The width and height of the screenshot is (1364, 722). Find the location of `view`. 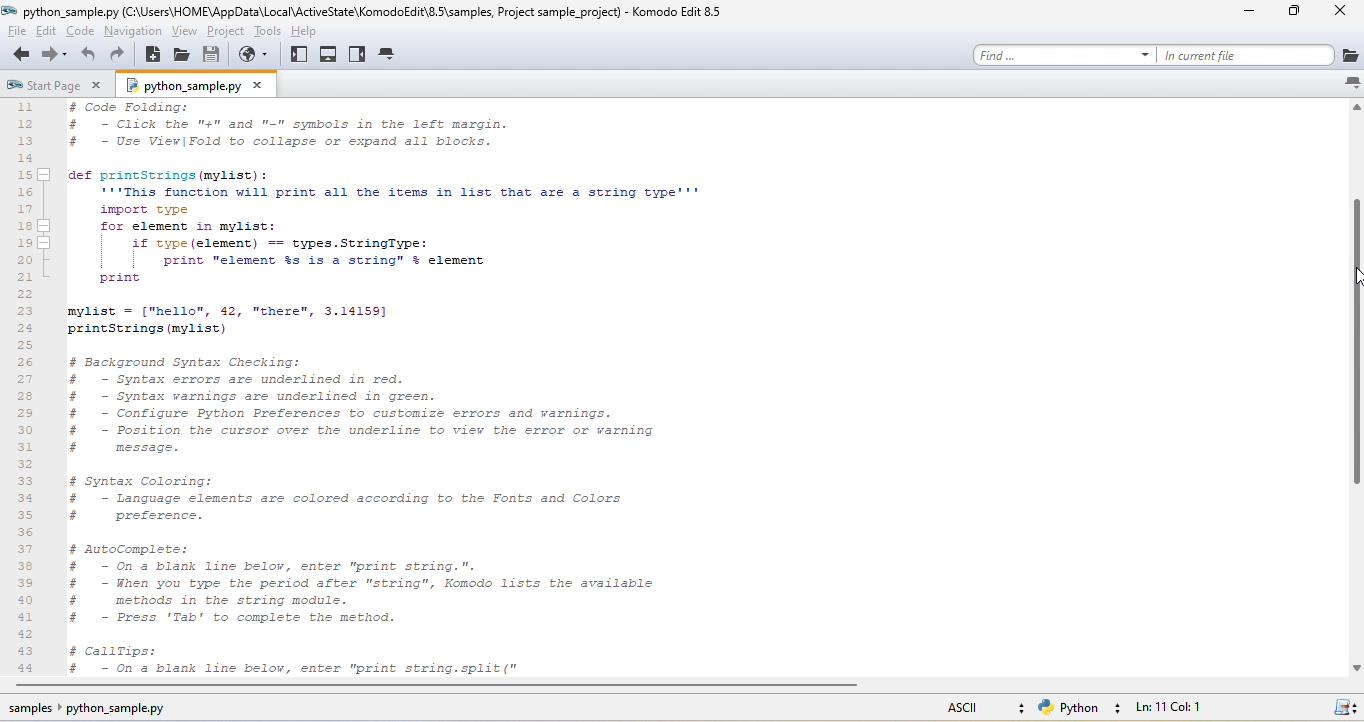

view is located at coordinates (184, 31).